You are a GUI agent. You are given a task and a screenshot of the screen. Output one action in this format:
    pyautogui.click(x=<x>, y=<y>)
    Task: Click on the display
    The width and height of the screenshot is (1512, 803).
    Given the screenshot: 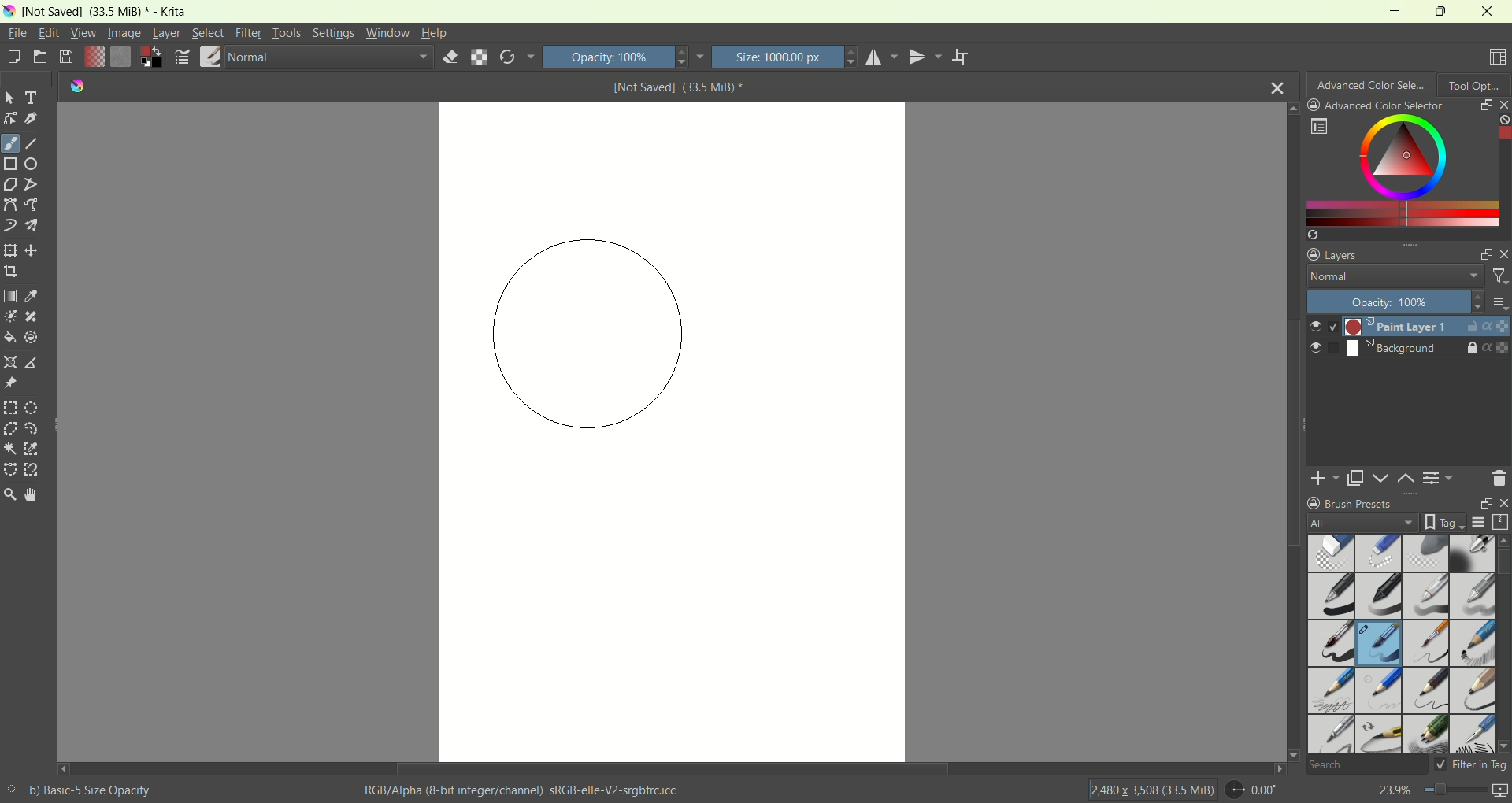 What is the action you would take?
    pyautogui.click(x=1478, y=523)
    